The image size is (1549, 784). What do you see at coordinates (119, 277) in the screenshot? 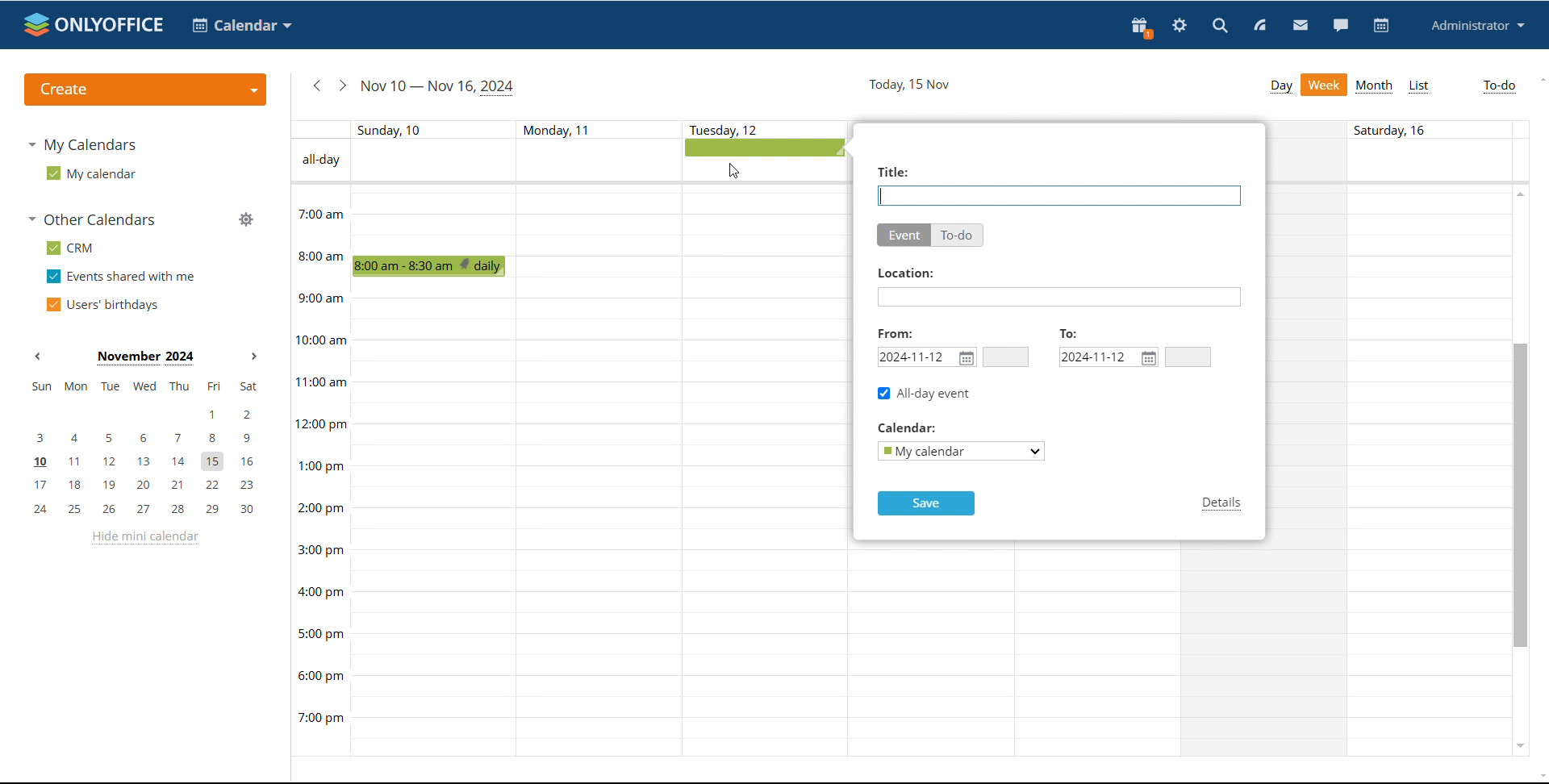
I see `events shared with me` at bounding box center [119, 277].